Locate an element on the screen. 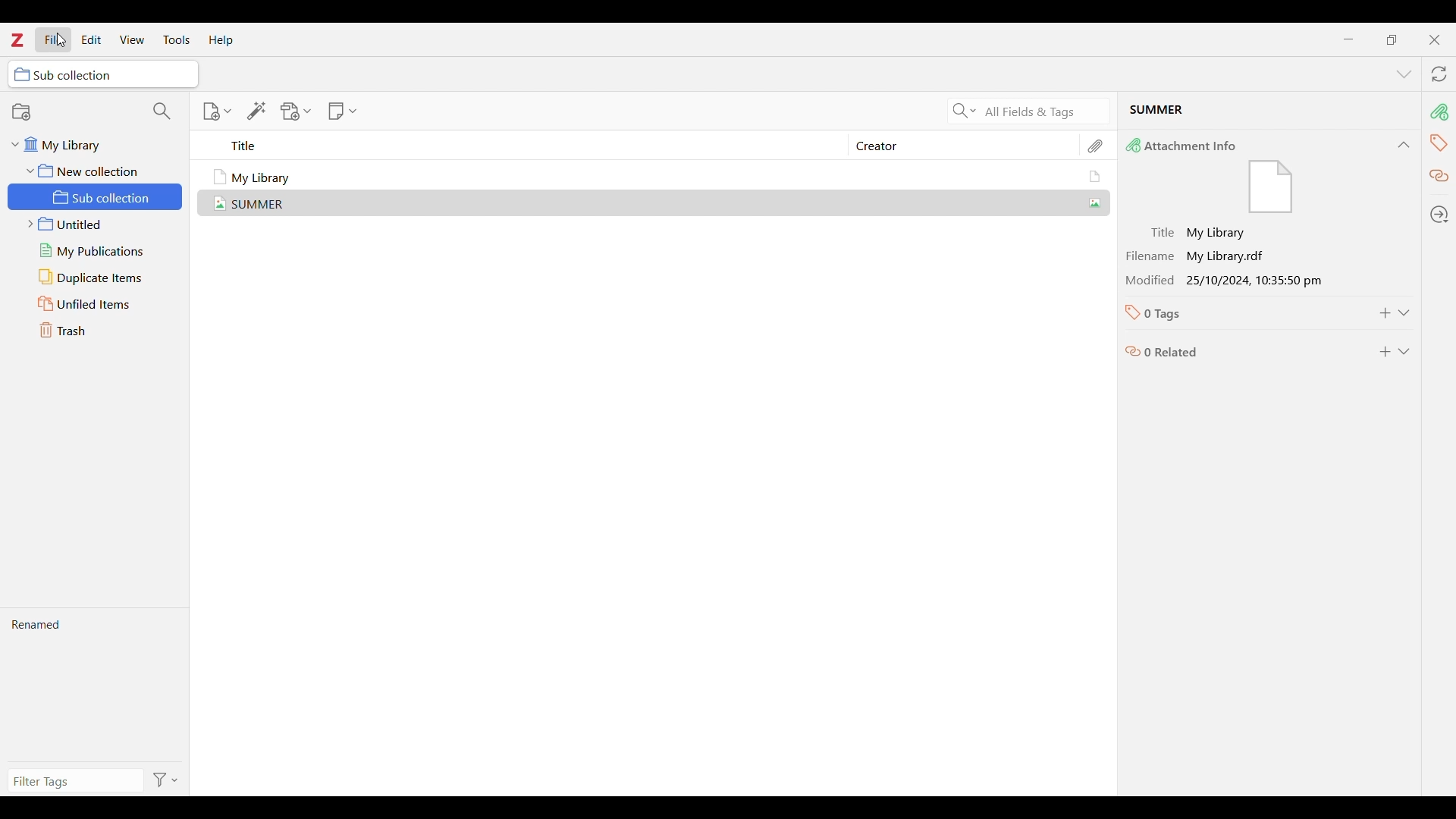 The image size is (1456, 819). Add is located at coordinates (1385, 352).